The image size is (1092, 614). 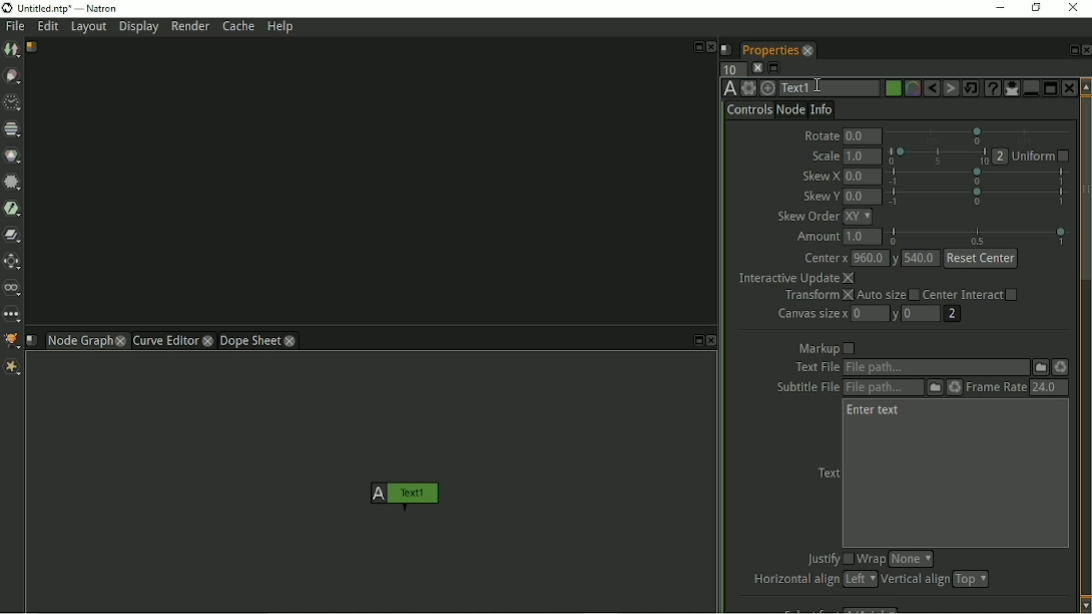 I want to click on 960, so click(x=869, y=257).